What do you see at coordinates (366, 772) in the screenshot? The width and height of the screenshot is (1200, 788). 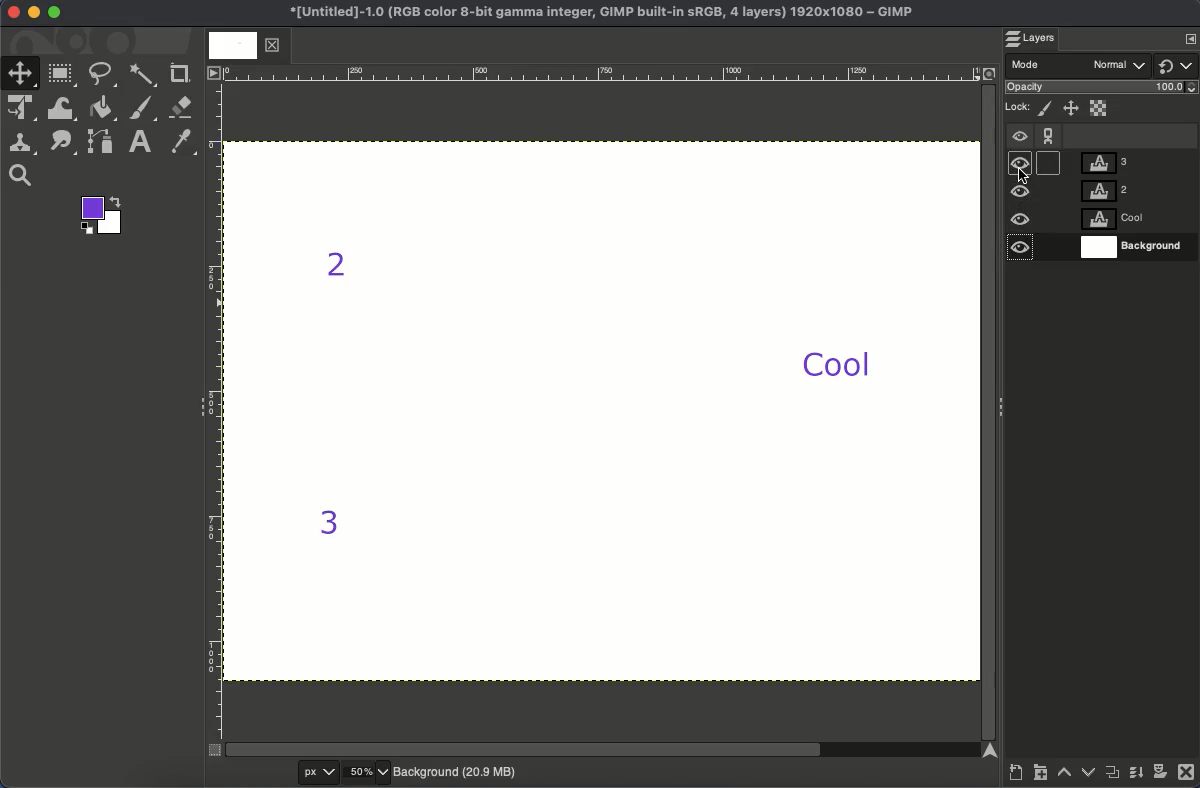 I see `50%` at bounding box center [366, 772].